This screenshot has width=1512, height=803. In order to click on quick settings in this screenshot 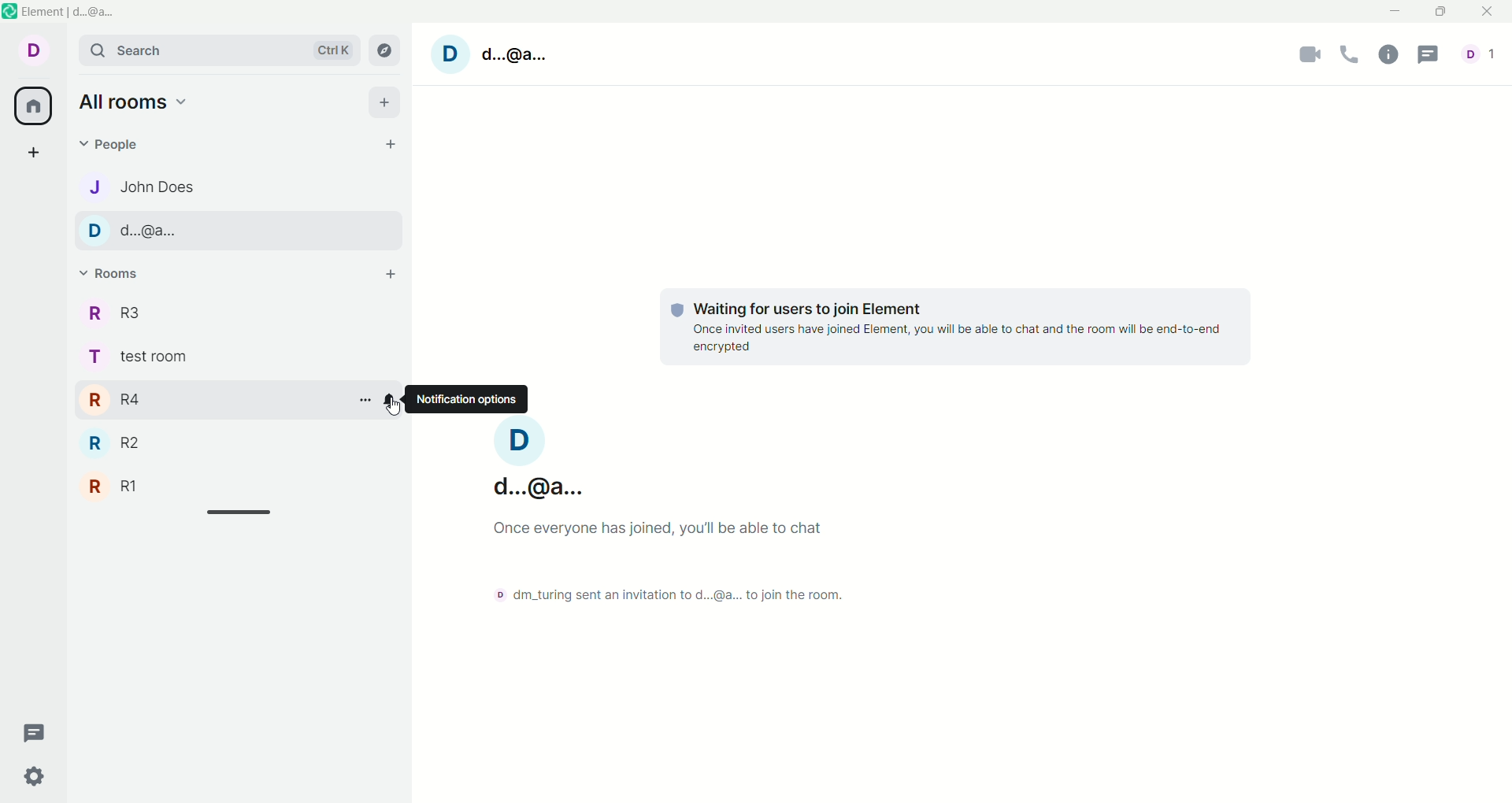, I will do `click(35, 775)`.